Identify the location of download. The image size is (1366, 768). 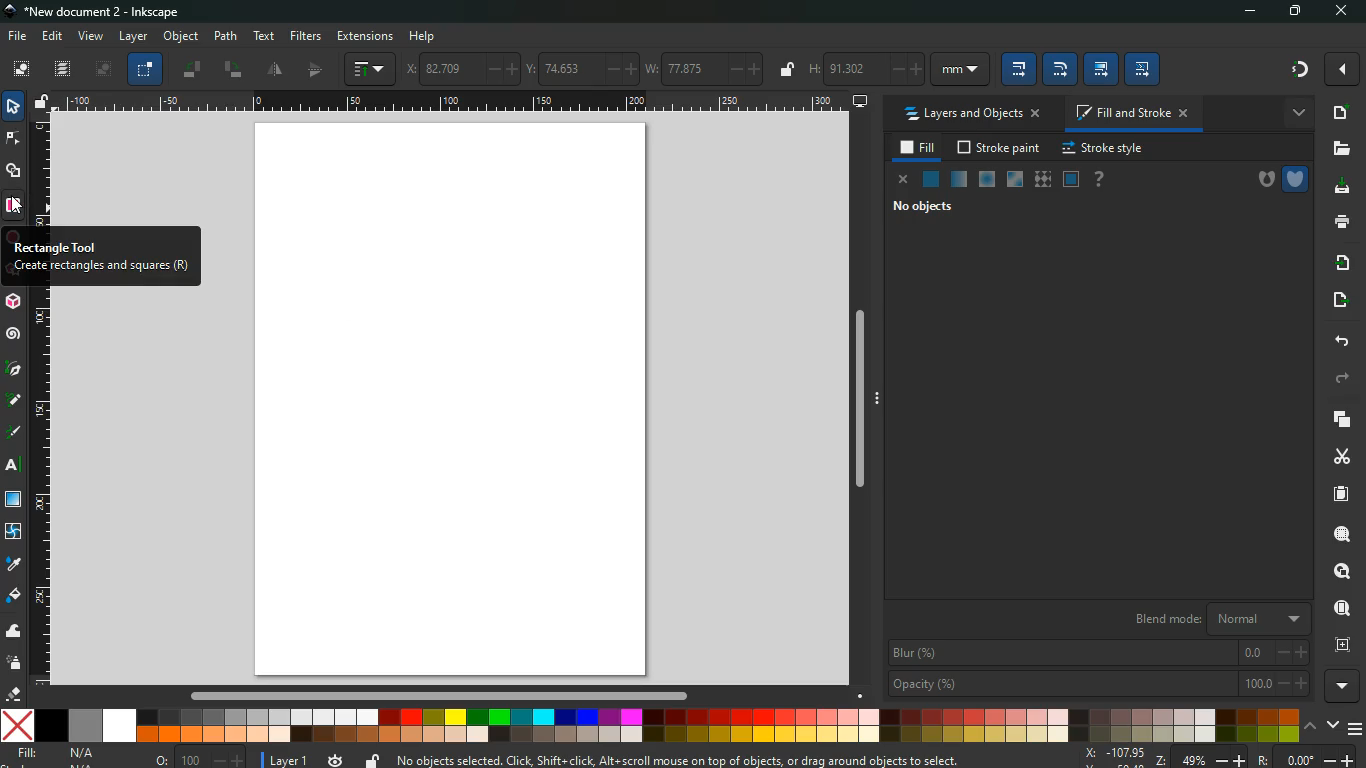
(1340, 188).